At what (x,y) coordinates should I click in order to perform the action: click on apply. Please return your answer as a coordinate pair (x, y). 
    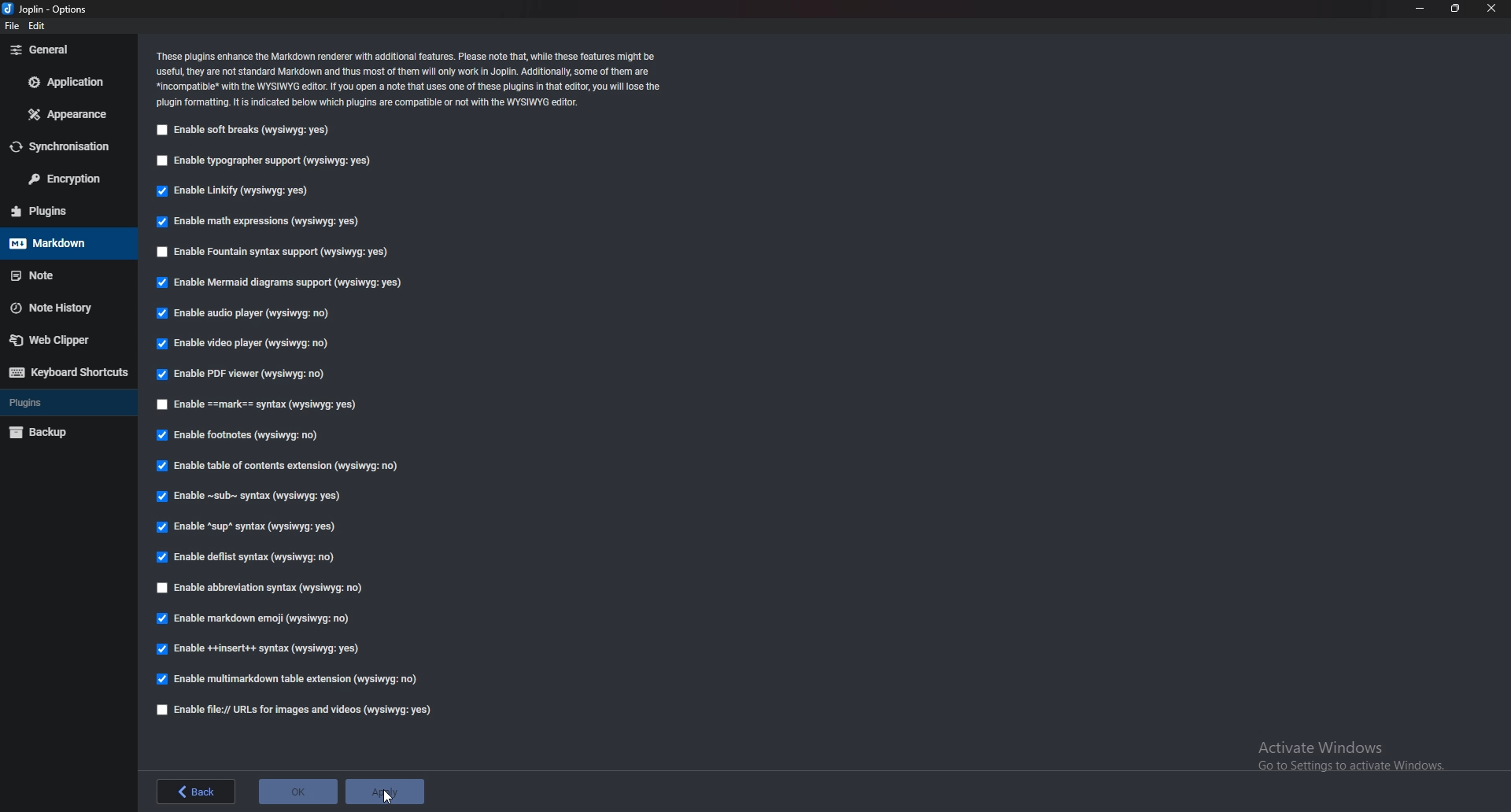
    Looking at the image, I should click on (384, 790).